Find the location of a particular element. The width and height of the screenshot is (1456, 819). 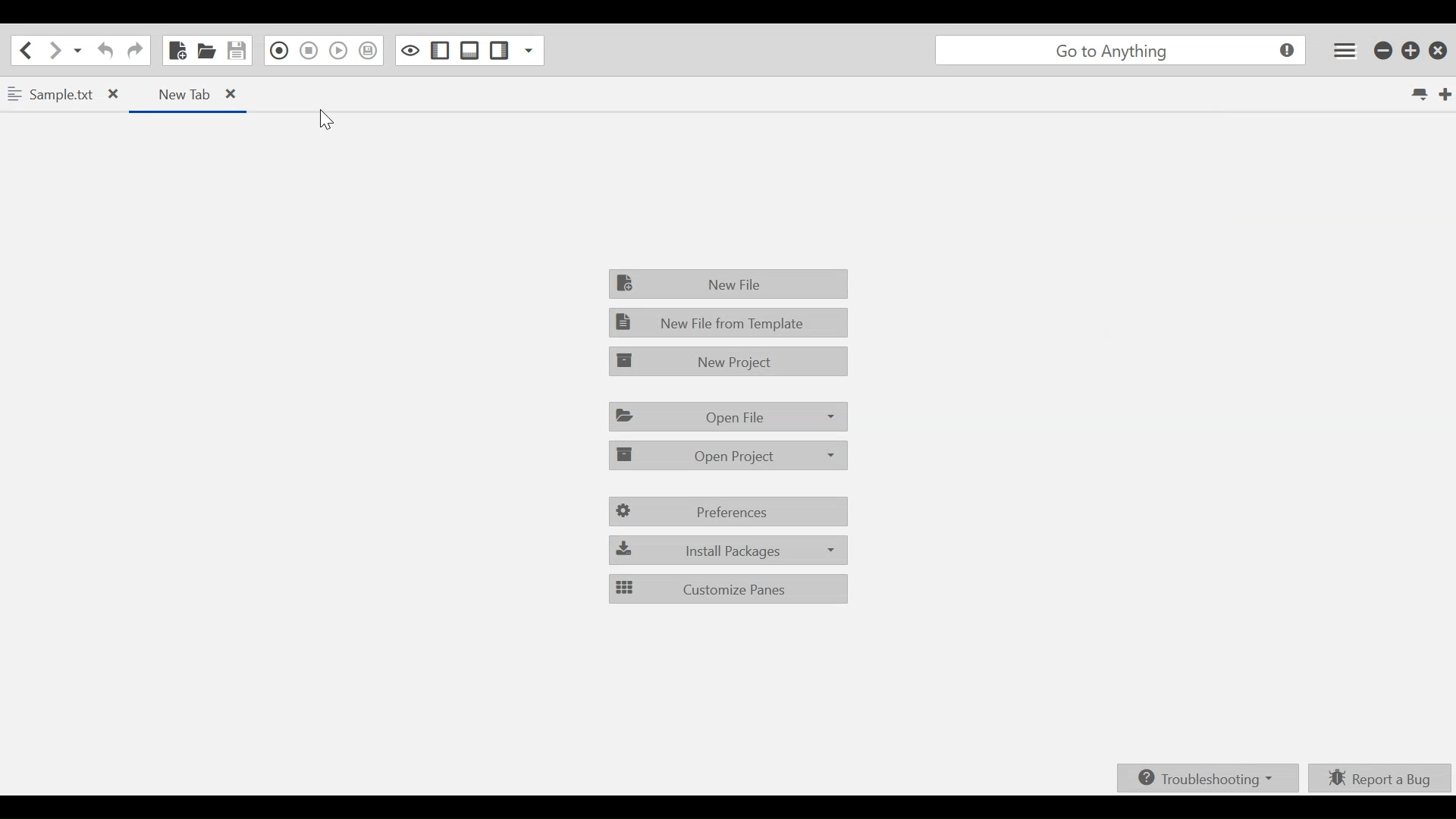

Application menu is located at coordinates (1343, 50).